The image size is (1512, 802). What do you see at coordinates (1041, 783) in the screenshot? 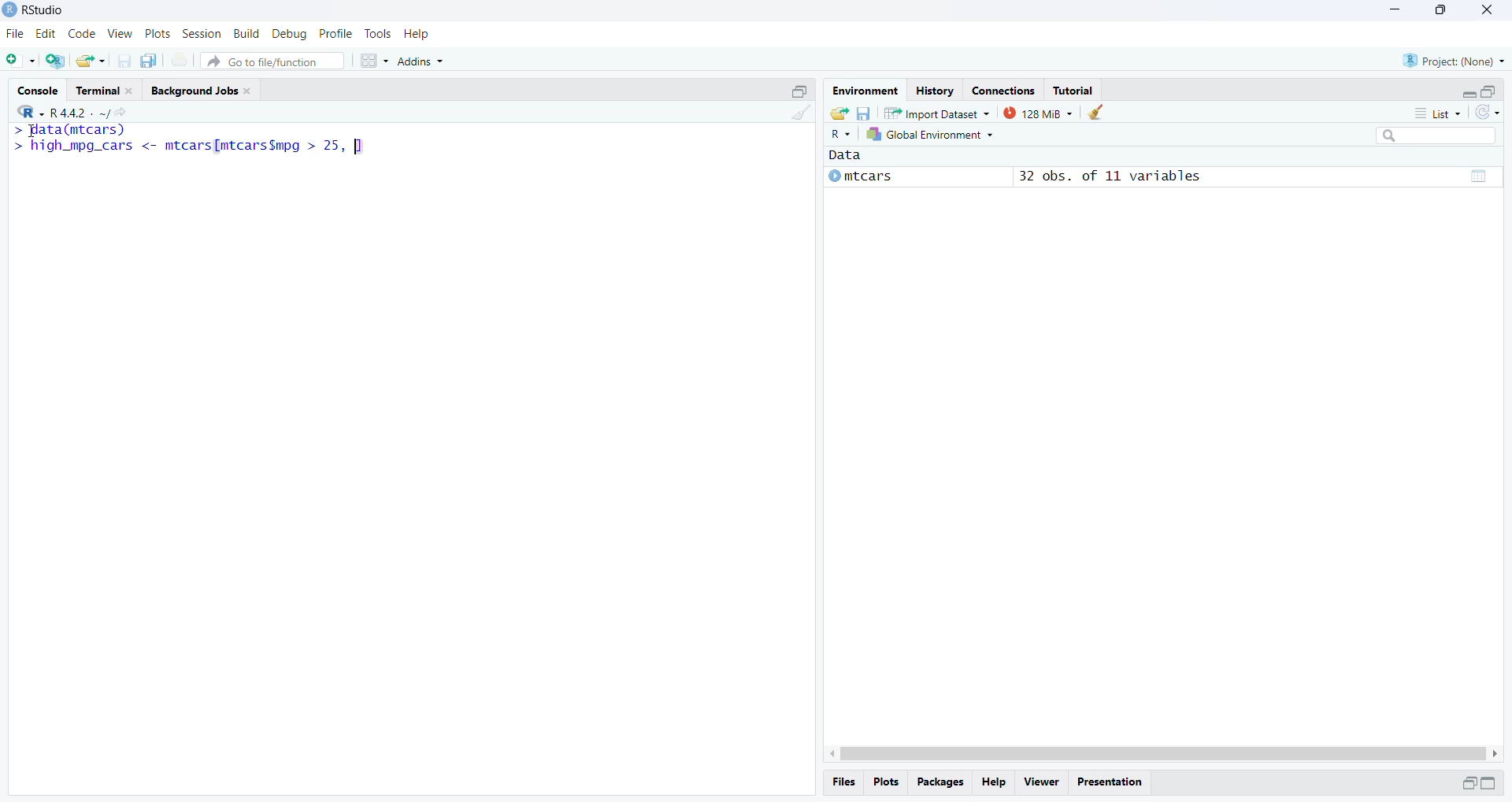
I see `Viewer` at bounding box center [1041, 783].